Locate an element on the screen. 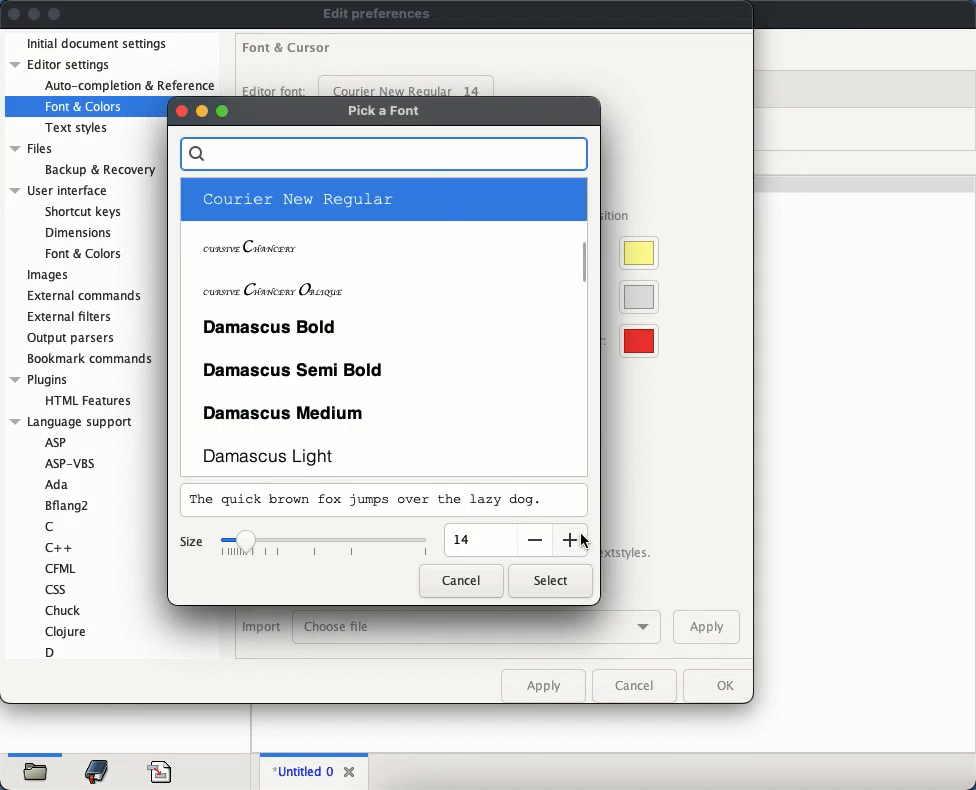 The width and height of the screenshot is (976, 790). bookmark is located at coordinates (98, 772).